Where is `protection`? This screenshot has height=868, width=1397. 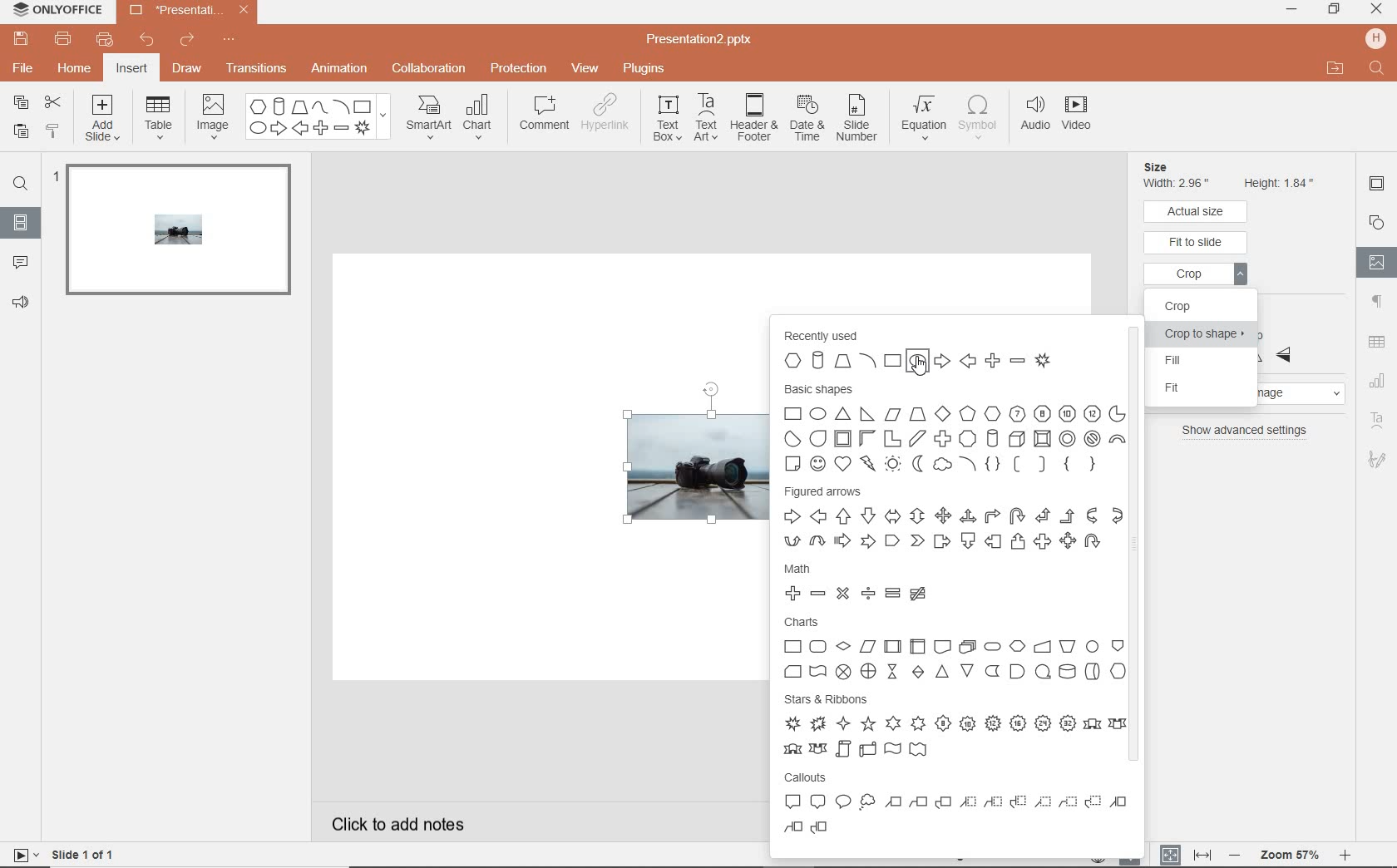 protection is located at coordinates (518, 70).